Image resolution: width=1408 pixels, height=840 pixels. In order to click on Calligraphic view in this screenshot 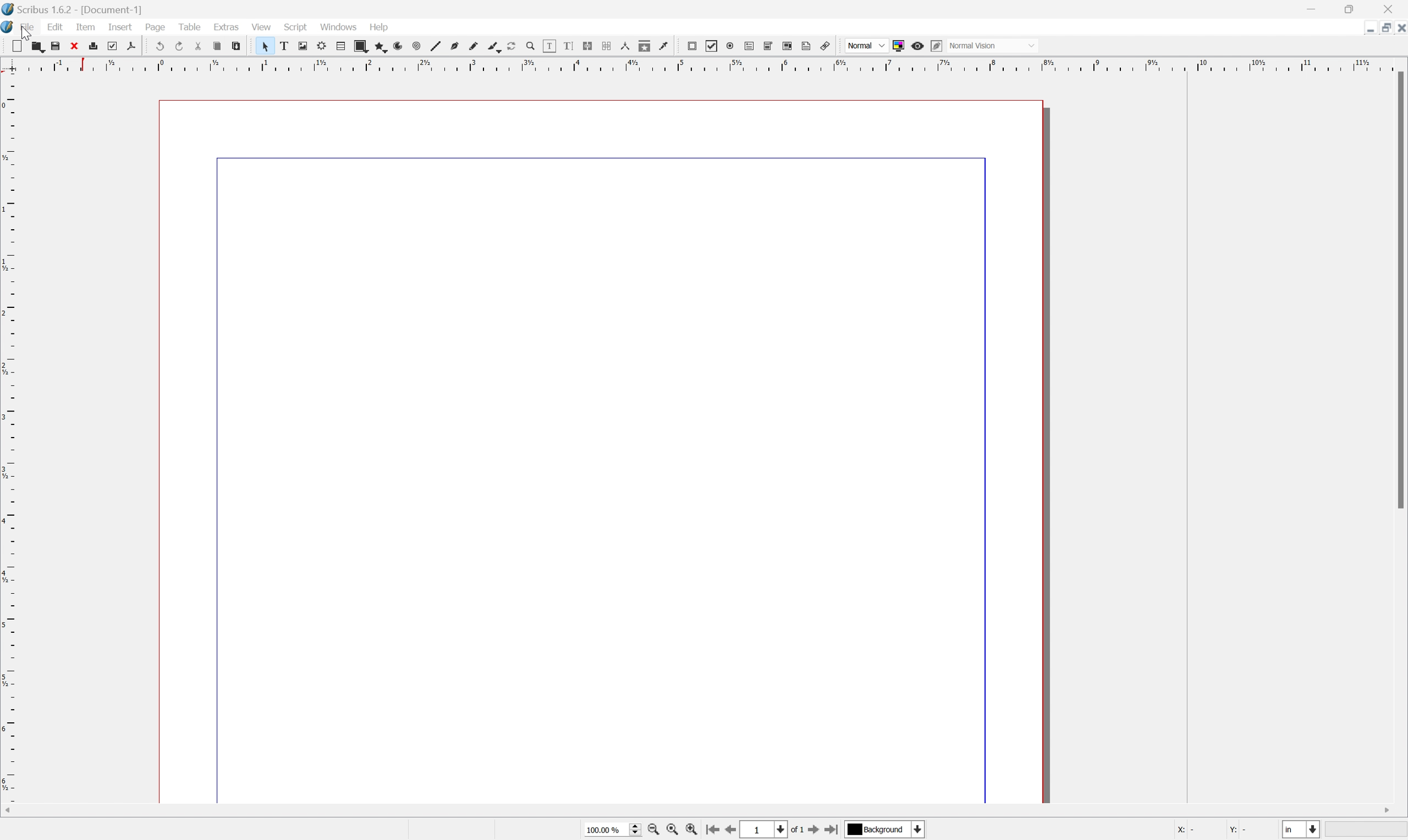, I will do `click(491, 46)`.